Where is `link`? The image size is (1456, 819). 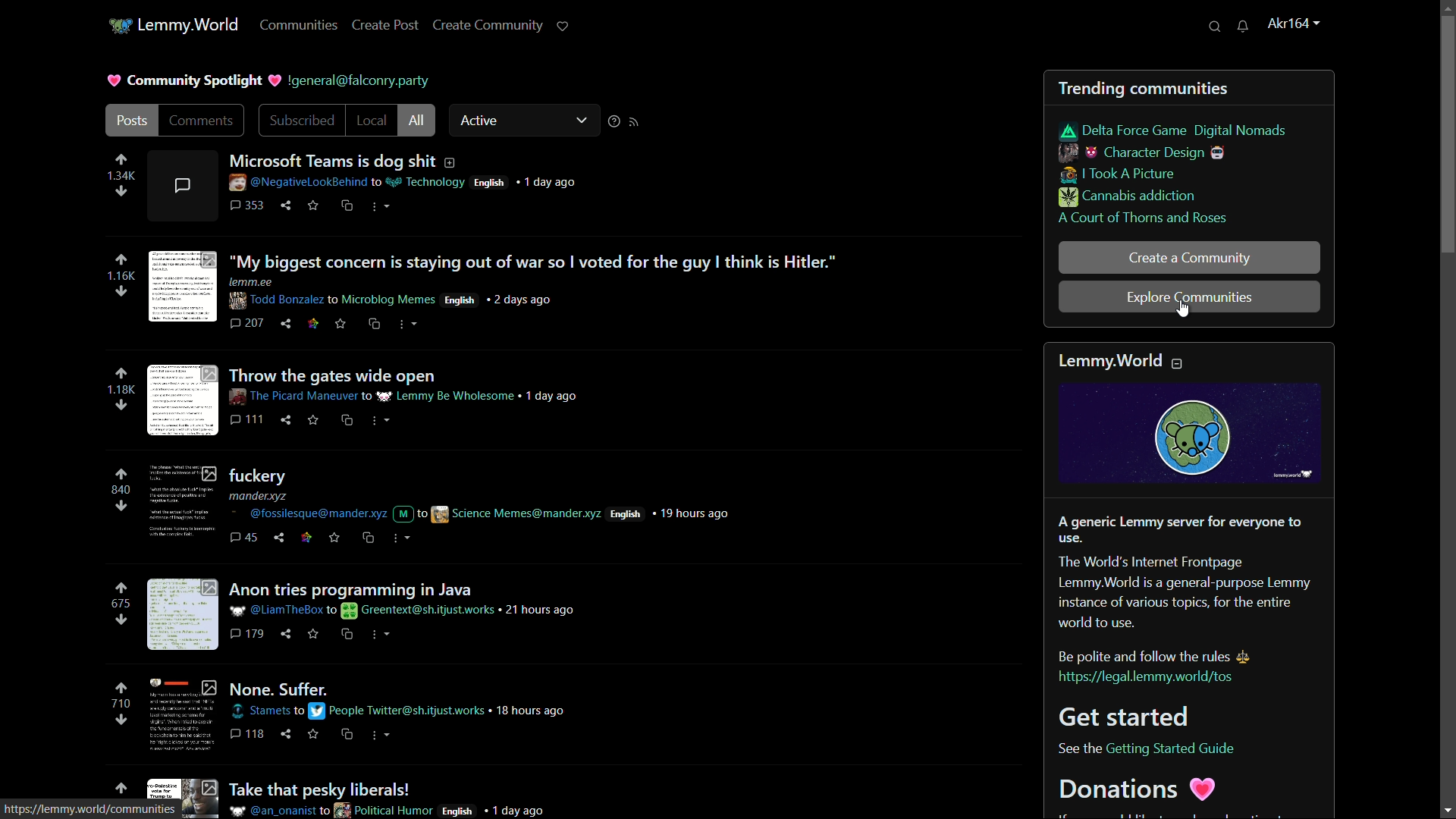 link is located at coordinates (313, 324).